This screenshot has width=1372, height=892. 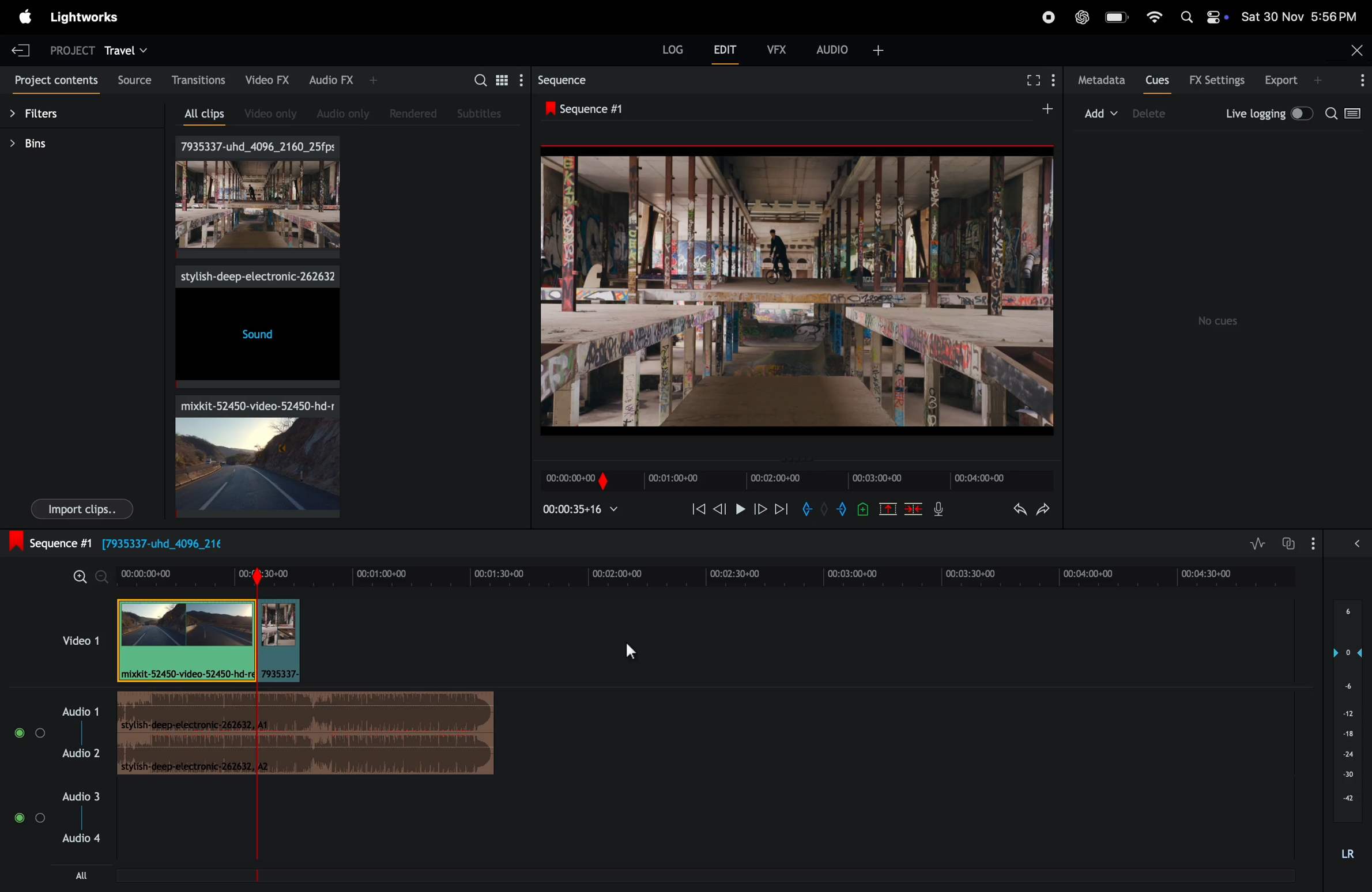 I want to click on transactions, so click(x=198, y=81).